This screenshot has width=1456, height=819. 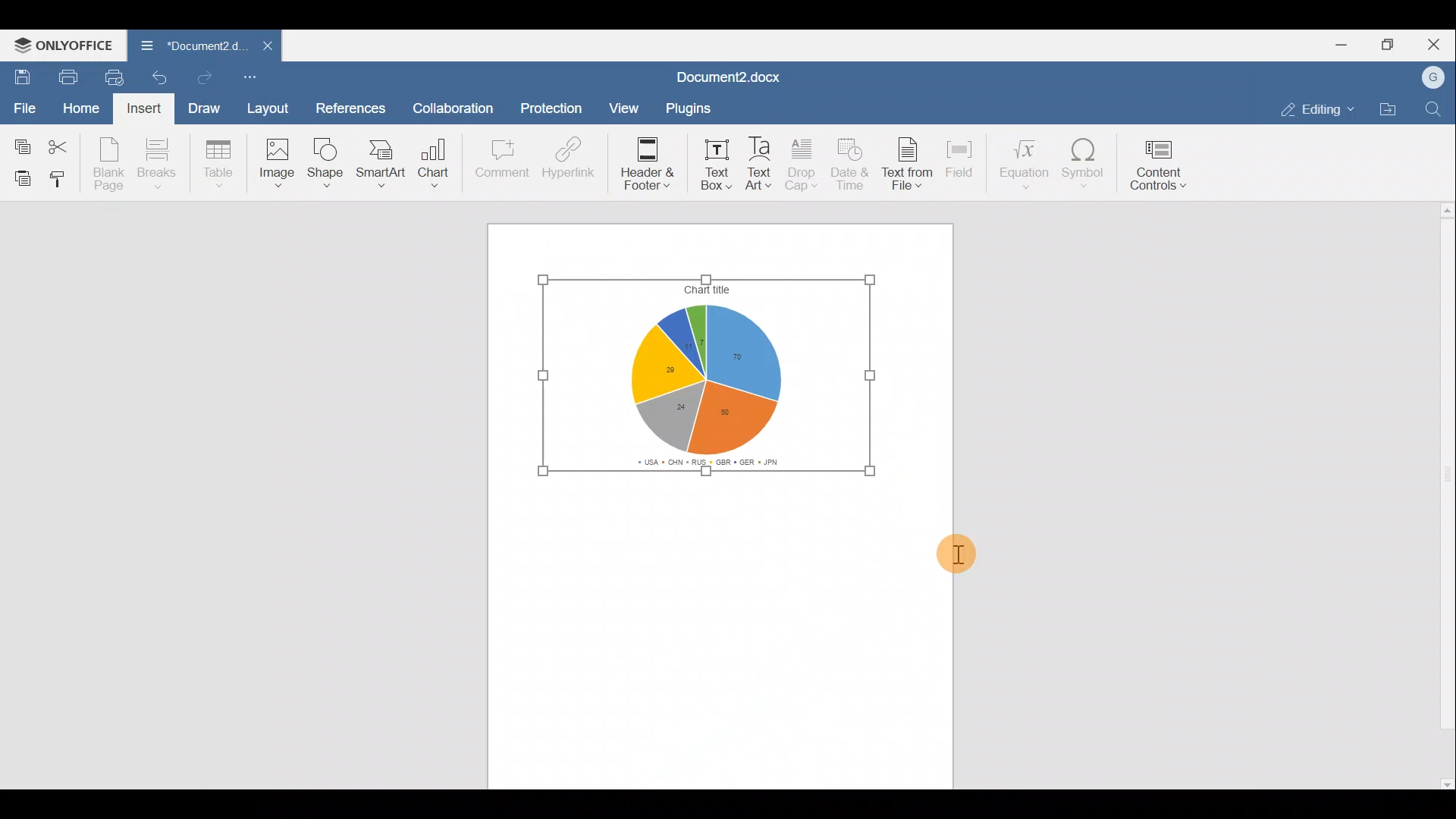 I want to click on Plugins, so click(x=688, y=108).